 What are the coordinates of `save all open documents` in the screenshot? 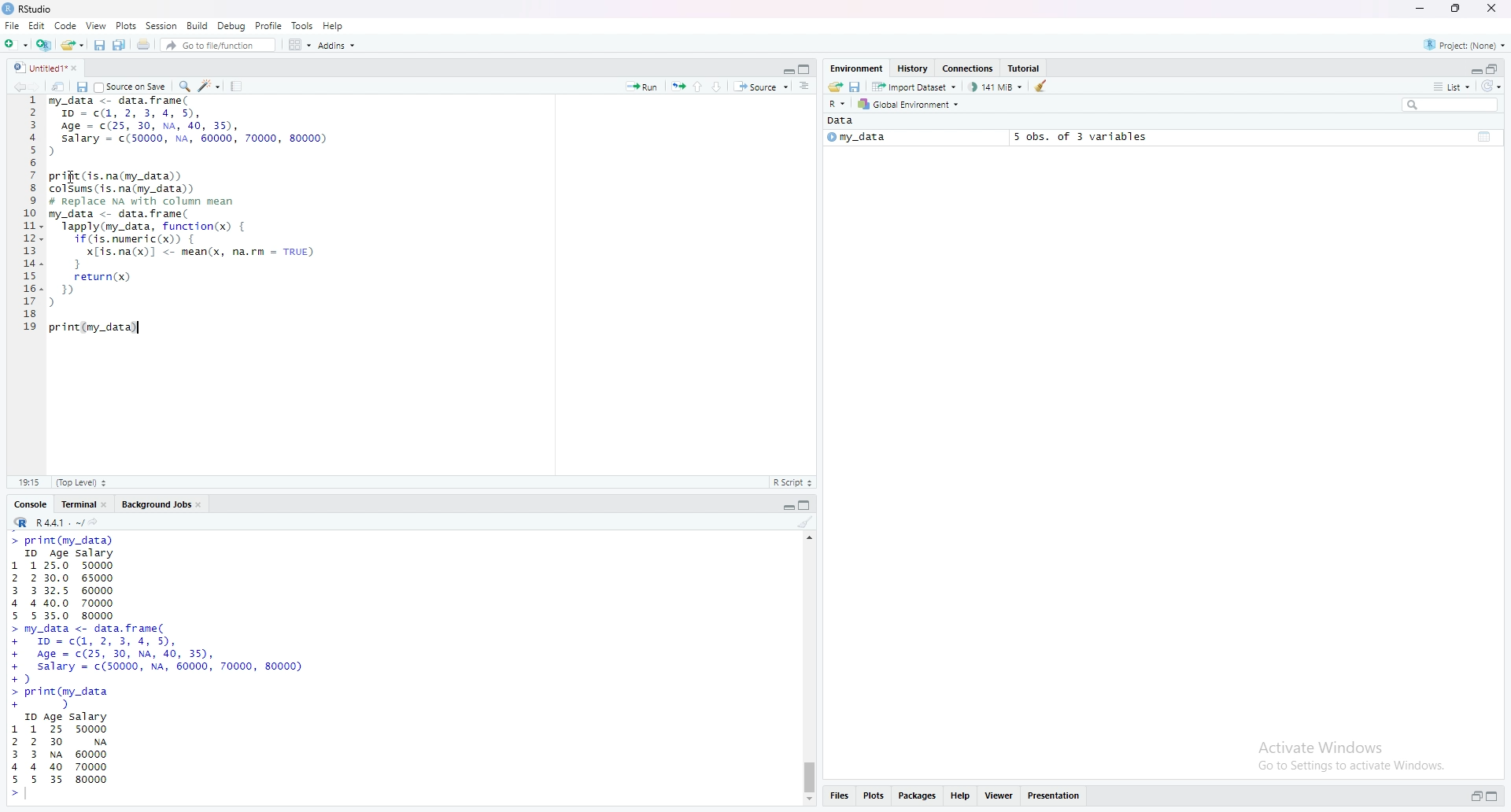 It's located at (120, 45).